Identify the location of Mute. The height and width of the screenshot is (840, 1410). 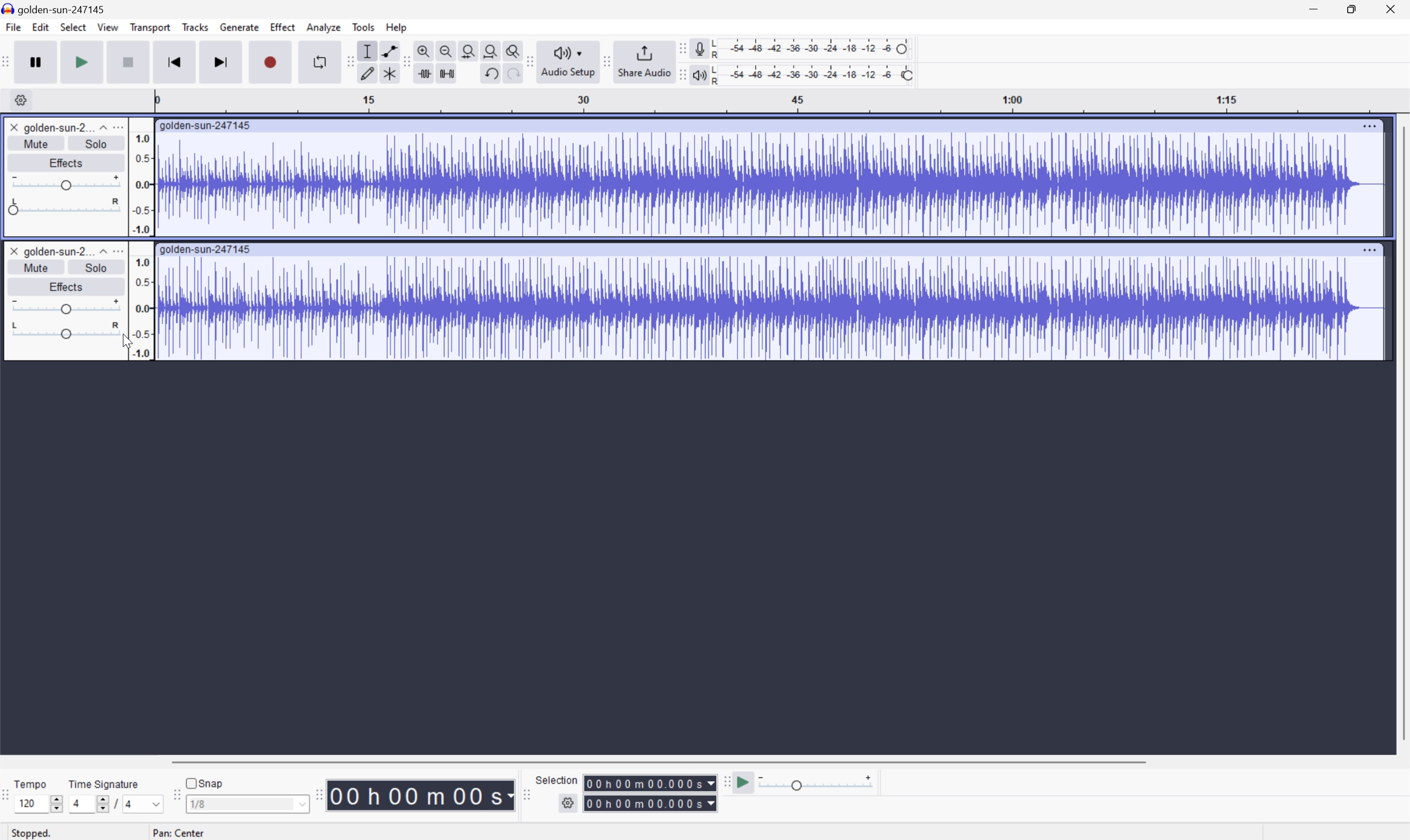
(35, 267).